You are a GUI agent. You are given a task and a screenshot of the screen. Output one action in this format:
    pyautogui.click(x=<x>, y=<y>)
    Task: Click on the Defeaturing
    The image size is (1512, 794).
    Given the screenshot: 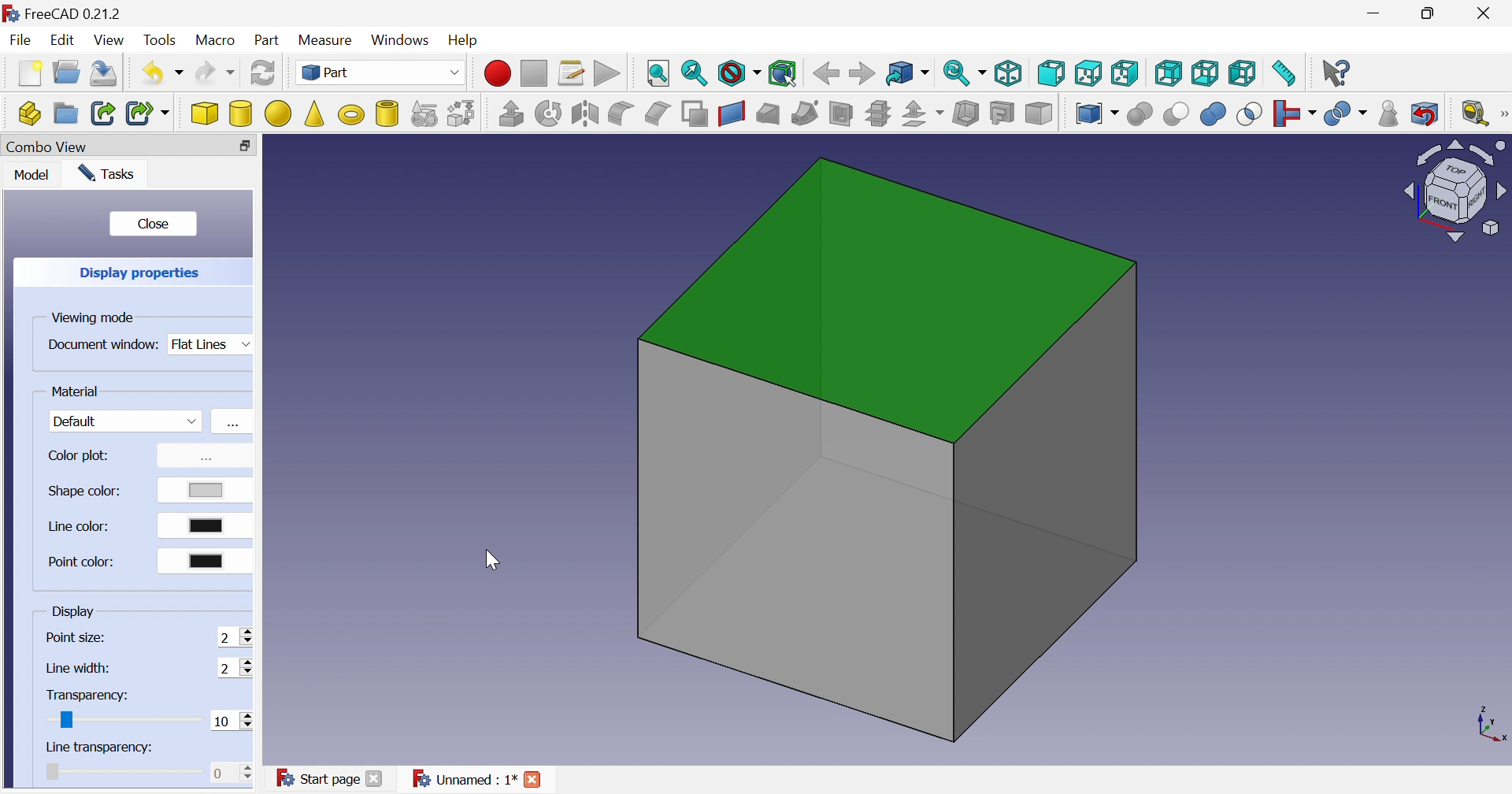 What is the action you would take?
    pyautogui.click(x=1426, y=112)
    